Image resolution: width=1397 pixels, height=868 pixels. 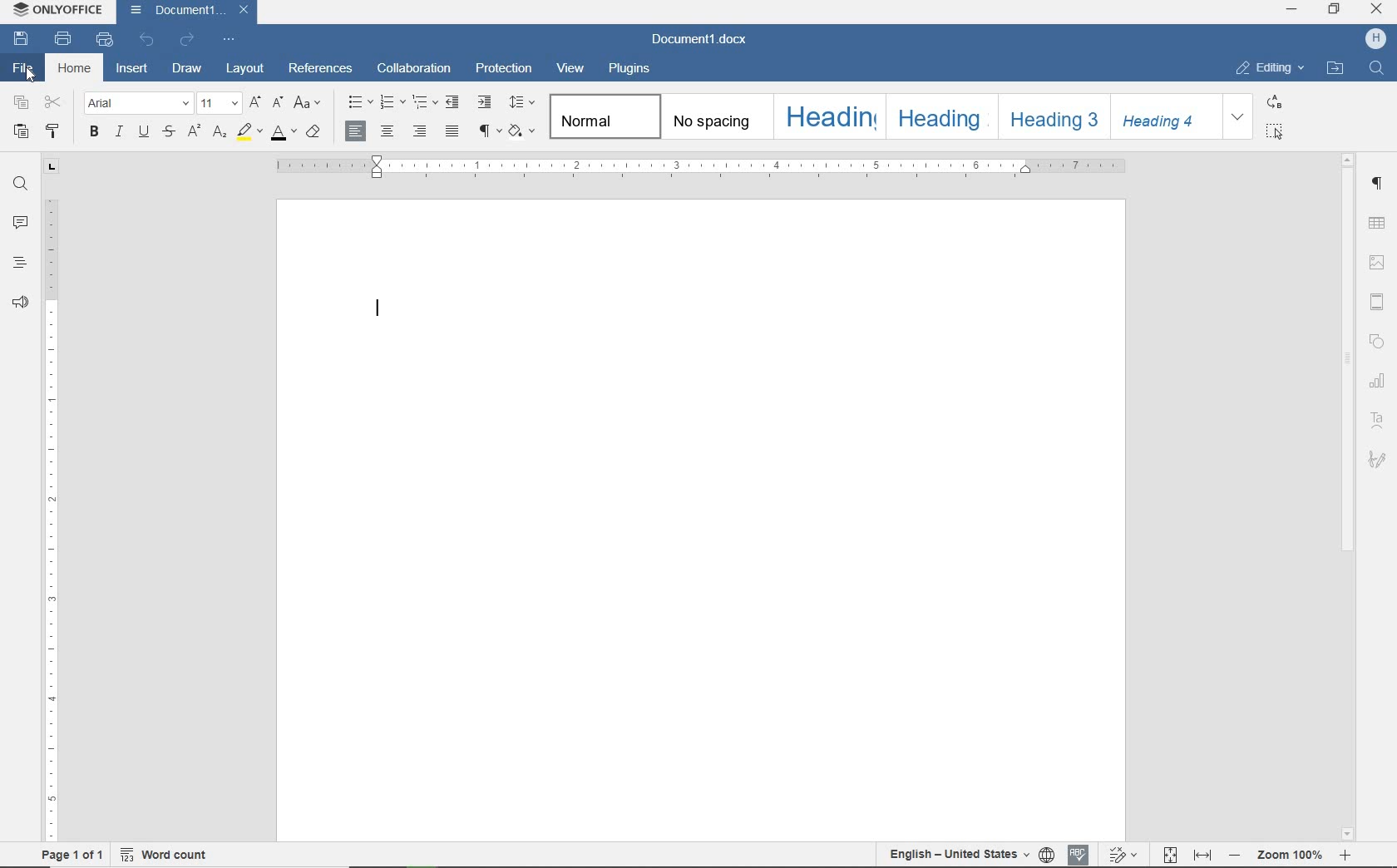 What do you see at coordinates (521, 131) in the screenshot?
I see `shading` at bounding box center [521, 131].